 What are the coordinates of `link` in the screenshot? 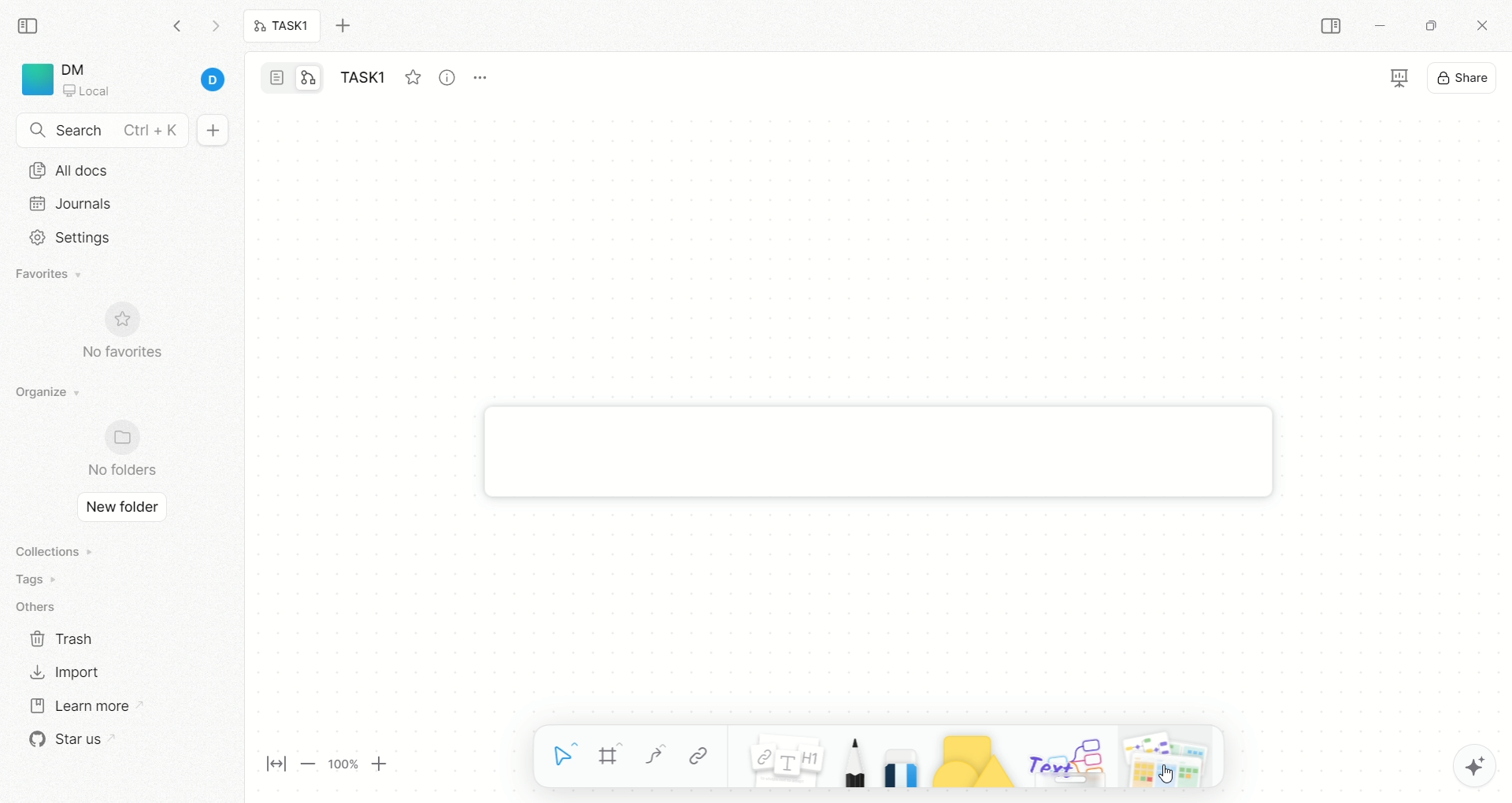 It's located at (699, 756).